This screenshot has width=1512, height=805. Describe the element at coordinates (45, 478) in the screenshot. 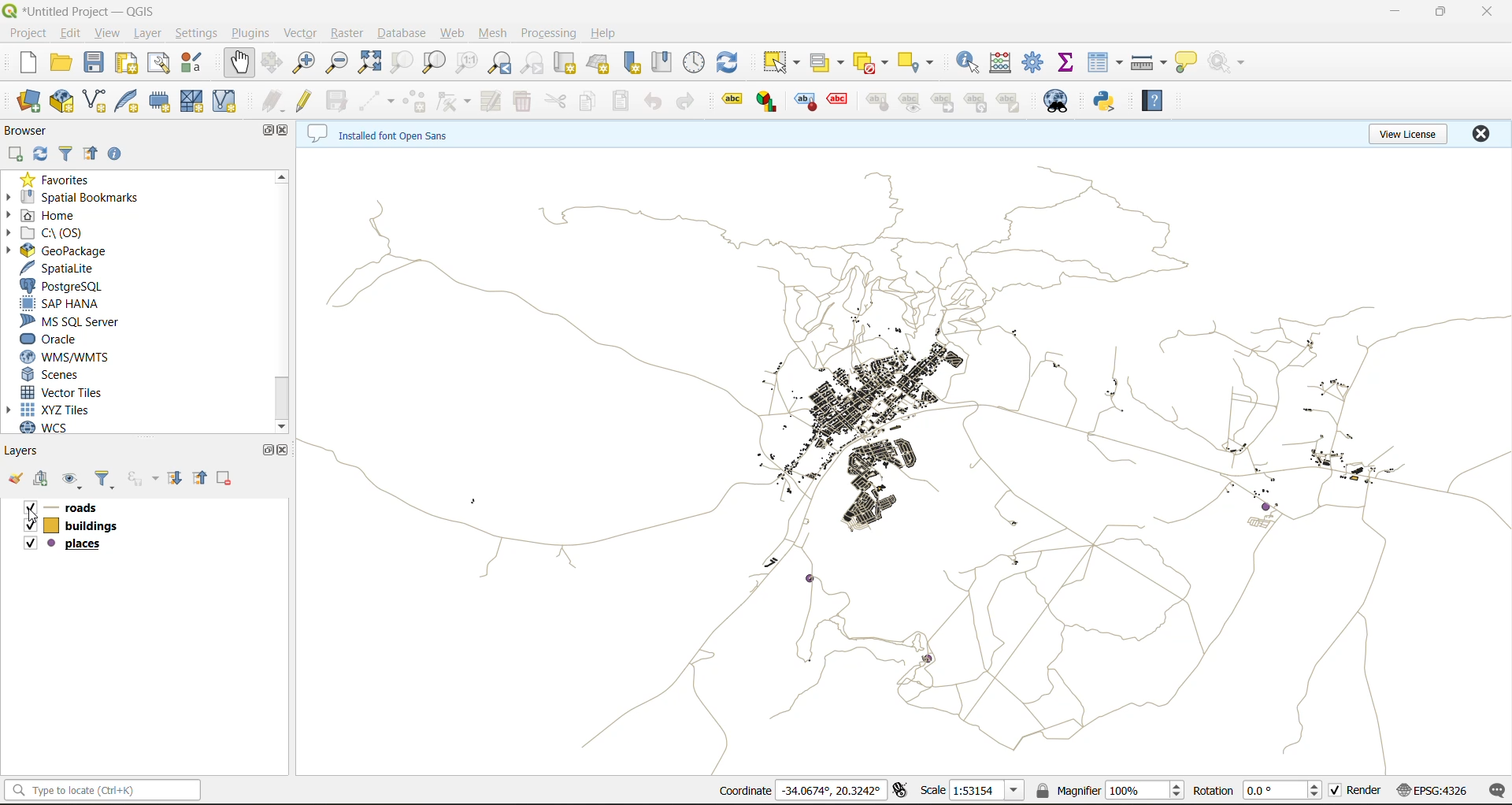

I see `add` at that location.